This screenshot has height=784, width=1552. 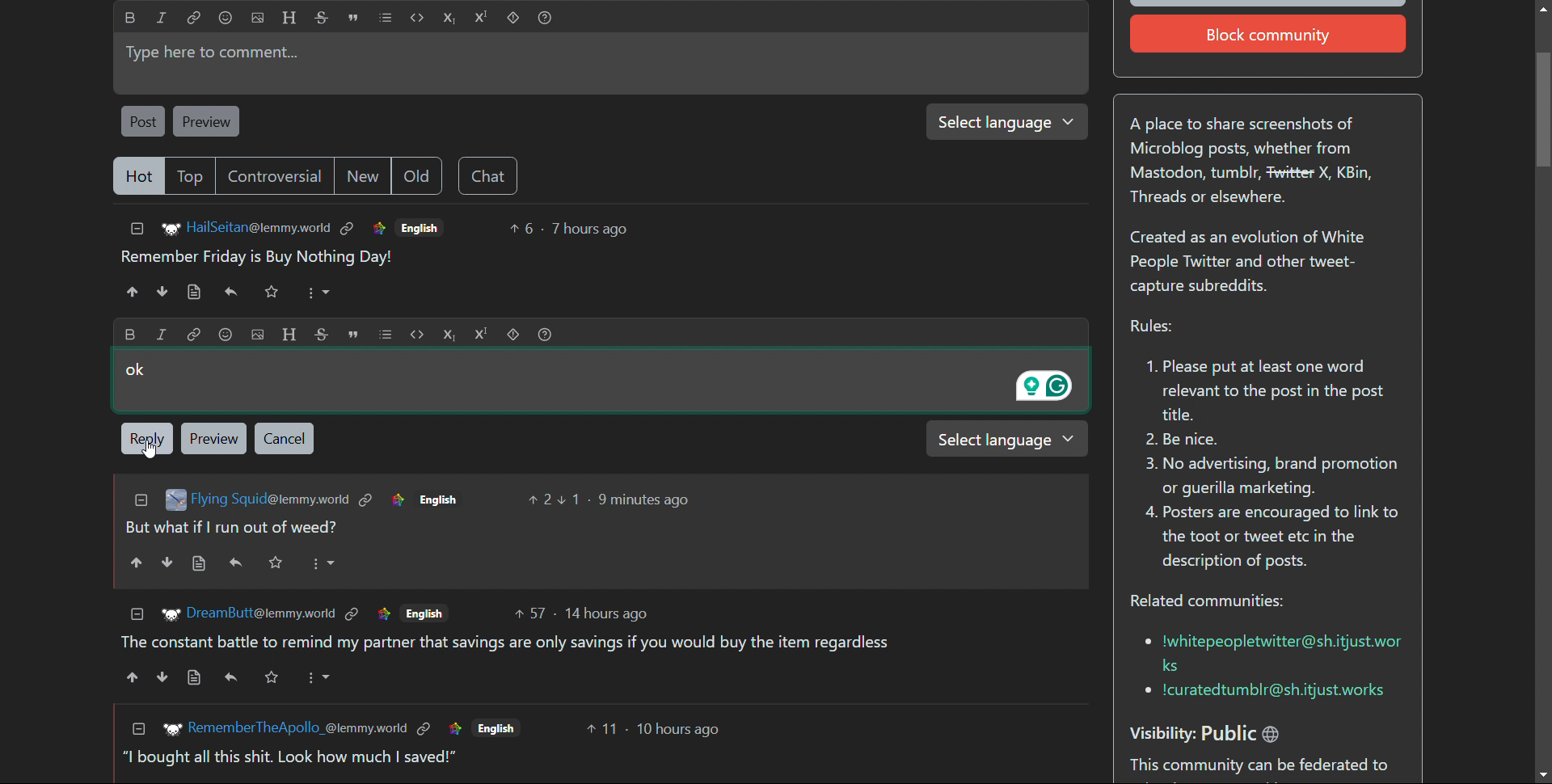 I want to click on view source, so click(x=200, y=565).